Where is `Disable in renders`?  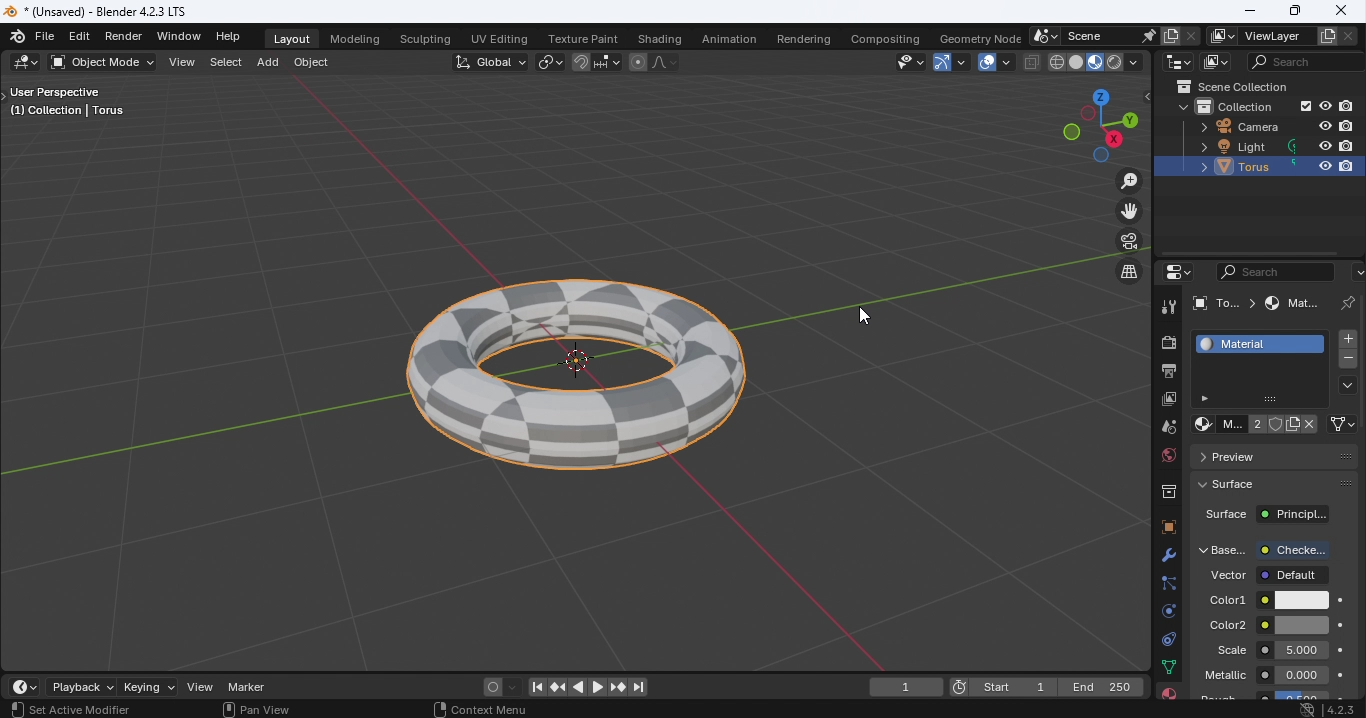
Disable in renders is located at coordinates (1348, 146).